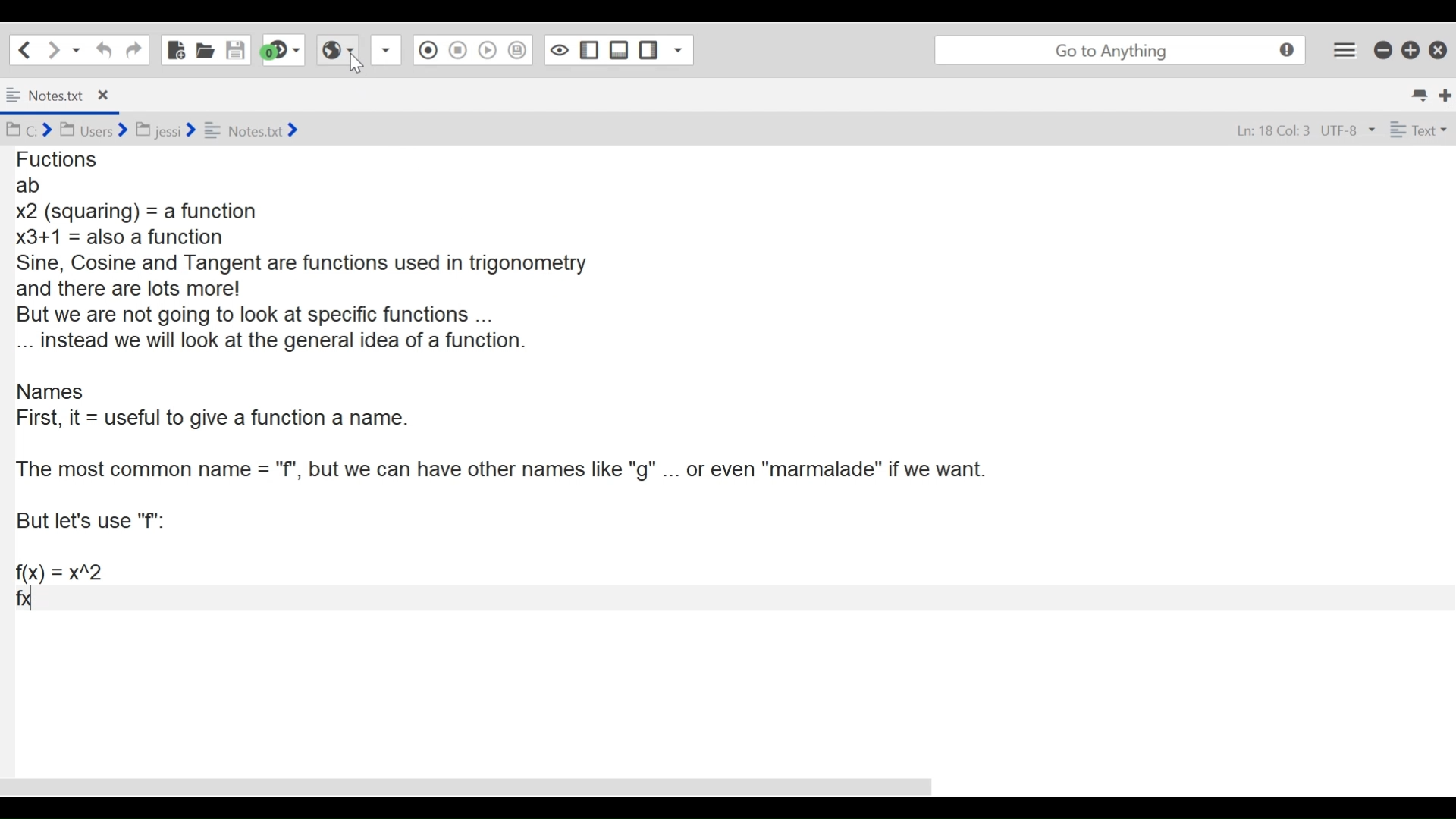  What do you see at coordinates (133, 49) in the screenshot?
I see `Undo the last action` at bounding box center [133, 49].